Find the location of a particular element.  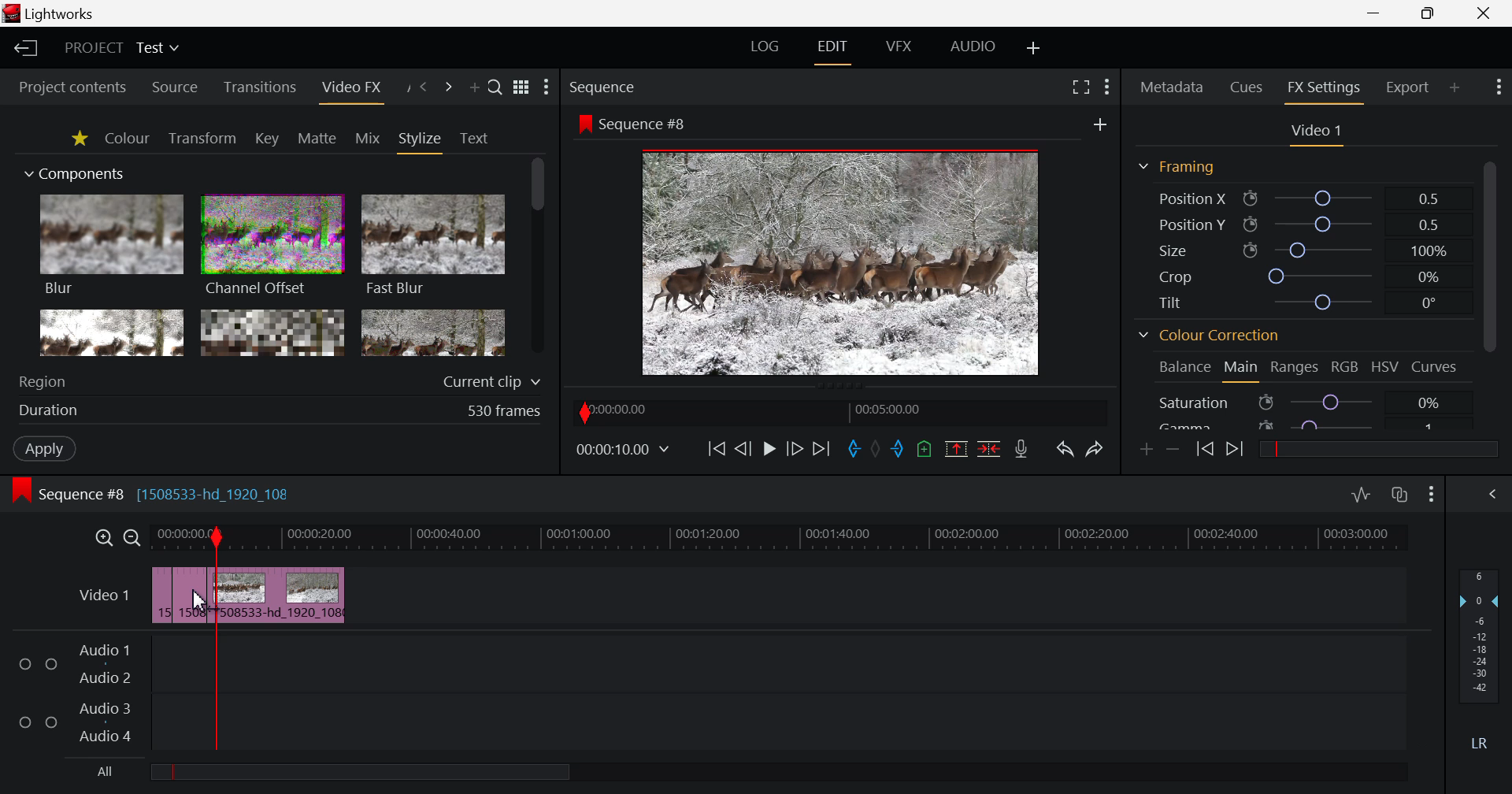

Add Panel is located at coordinates (1455, 86).